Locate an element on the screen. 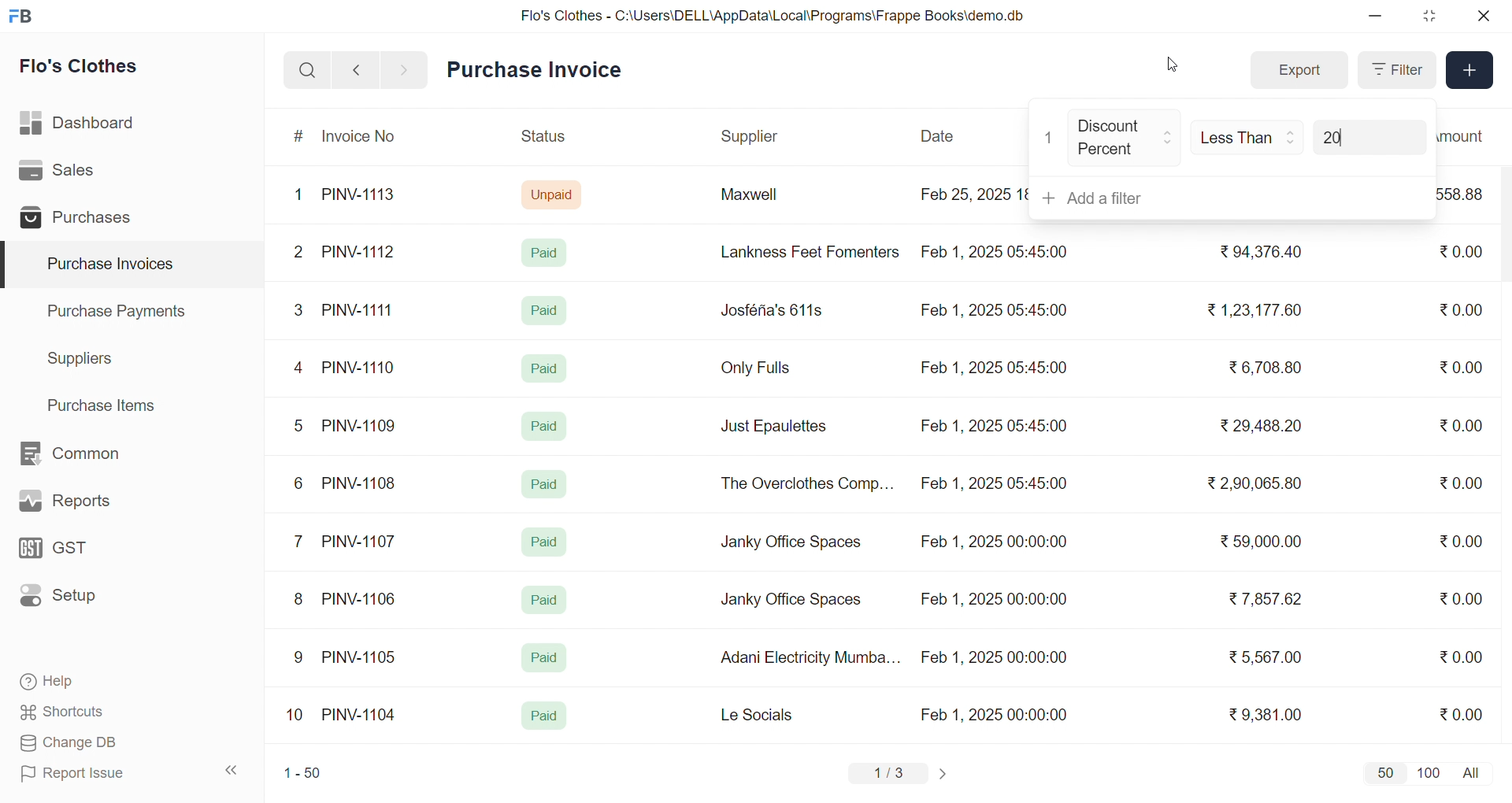 This screenshot has width=1512, height=803. Janky Office Spaces is located at coordinates (791, 601).